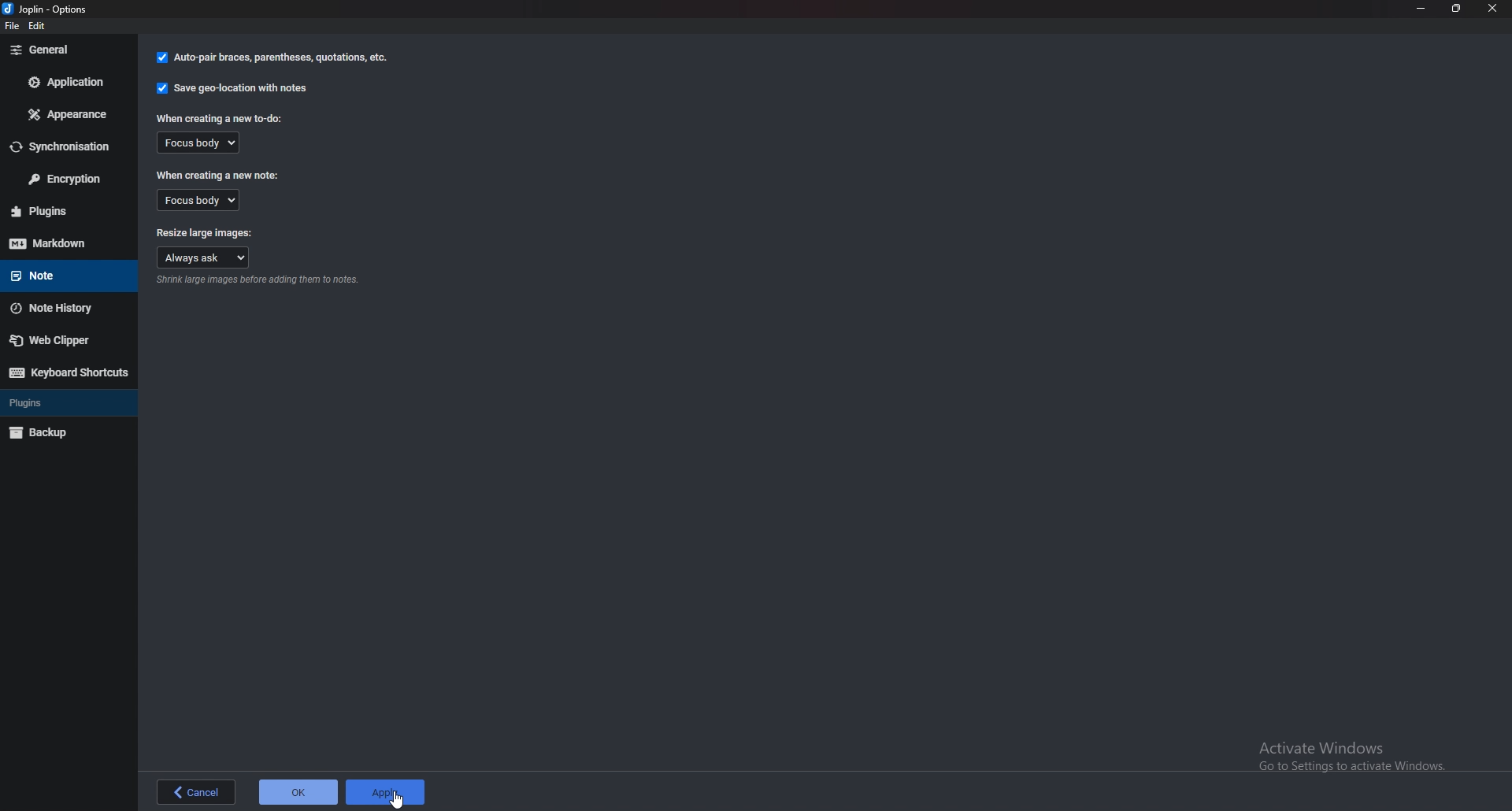 The image size is (1512, 811). I want to click on Resize, so click(1456, 8).